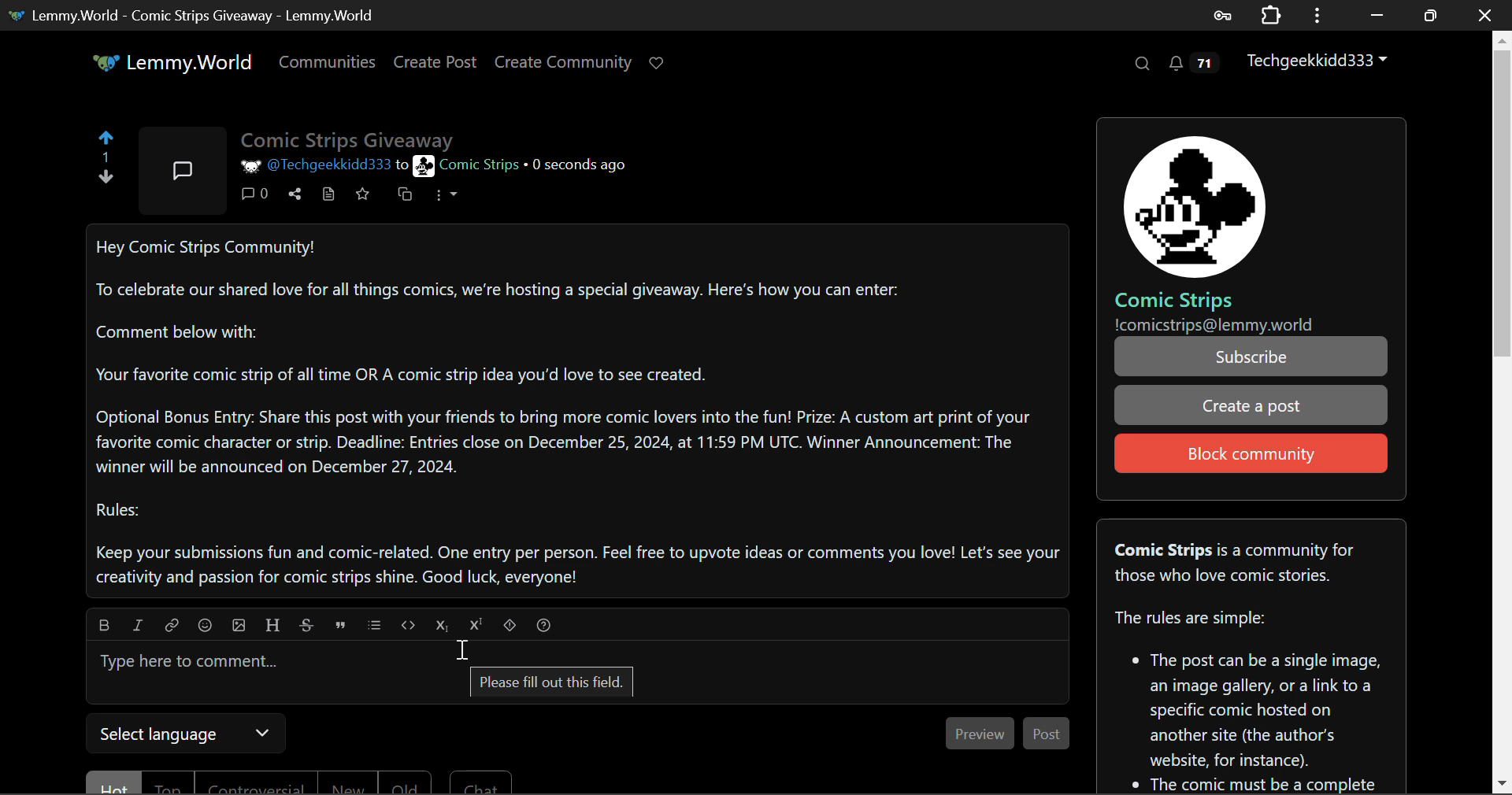  I want to click on Options, so click(444, 198).